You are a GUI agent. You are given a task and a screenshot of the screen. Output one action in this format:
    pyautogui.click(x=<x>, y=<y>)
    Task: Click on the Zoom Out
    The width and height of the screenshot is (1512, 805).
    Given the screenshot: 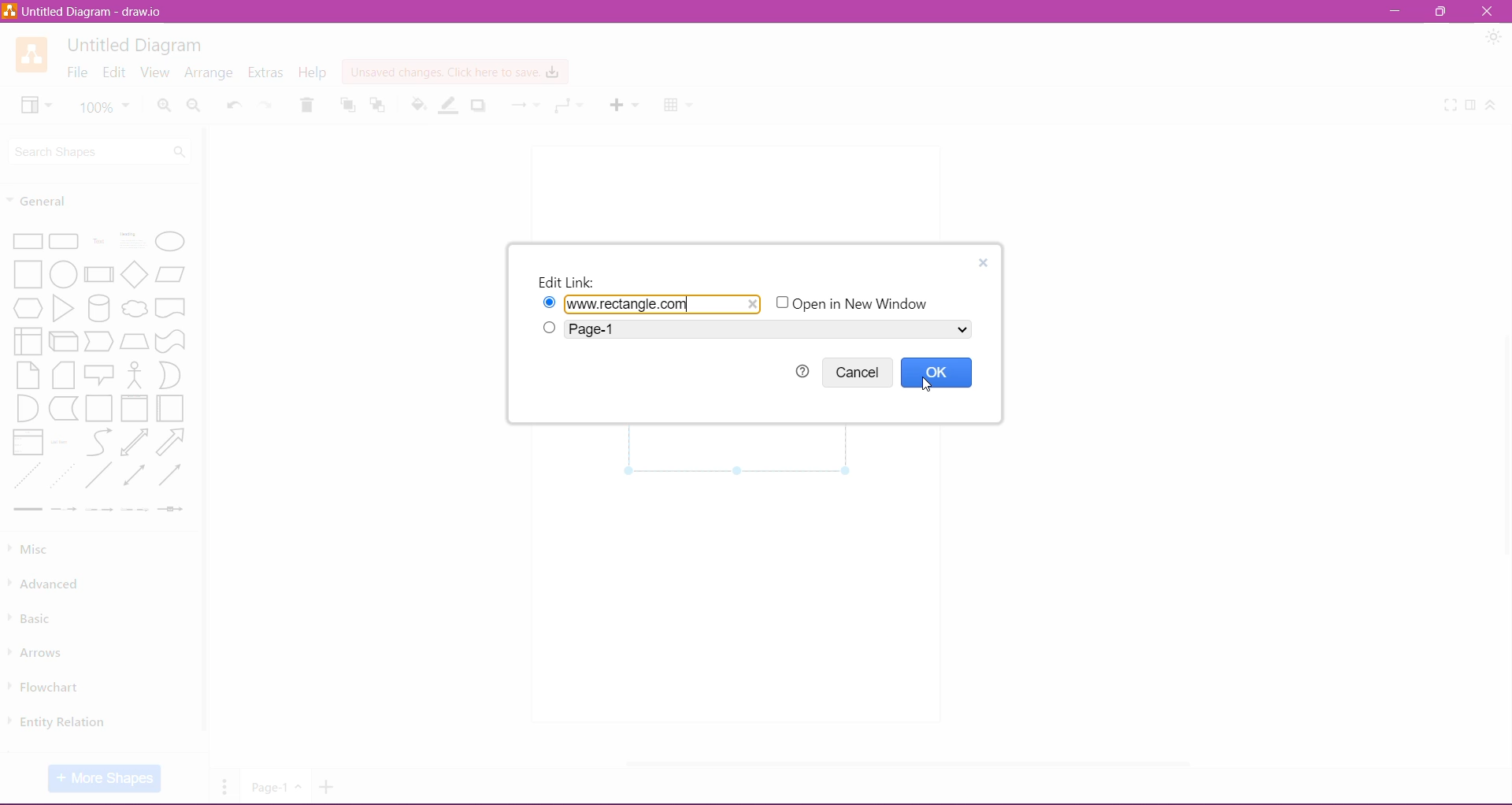 What is the action you would take?
    pyautogui.click(x=195, y=106)
    